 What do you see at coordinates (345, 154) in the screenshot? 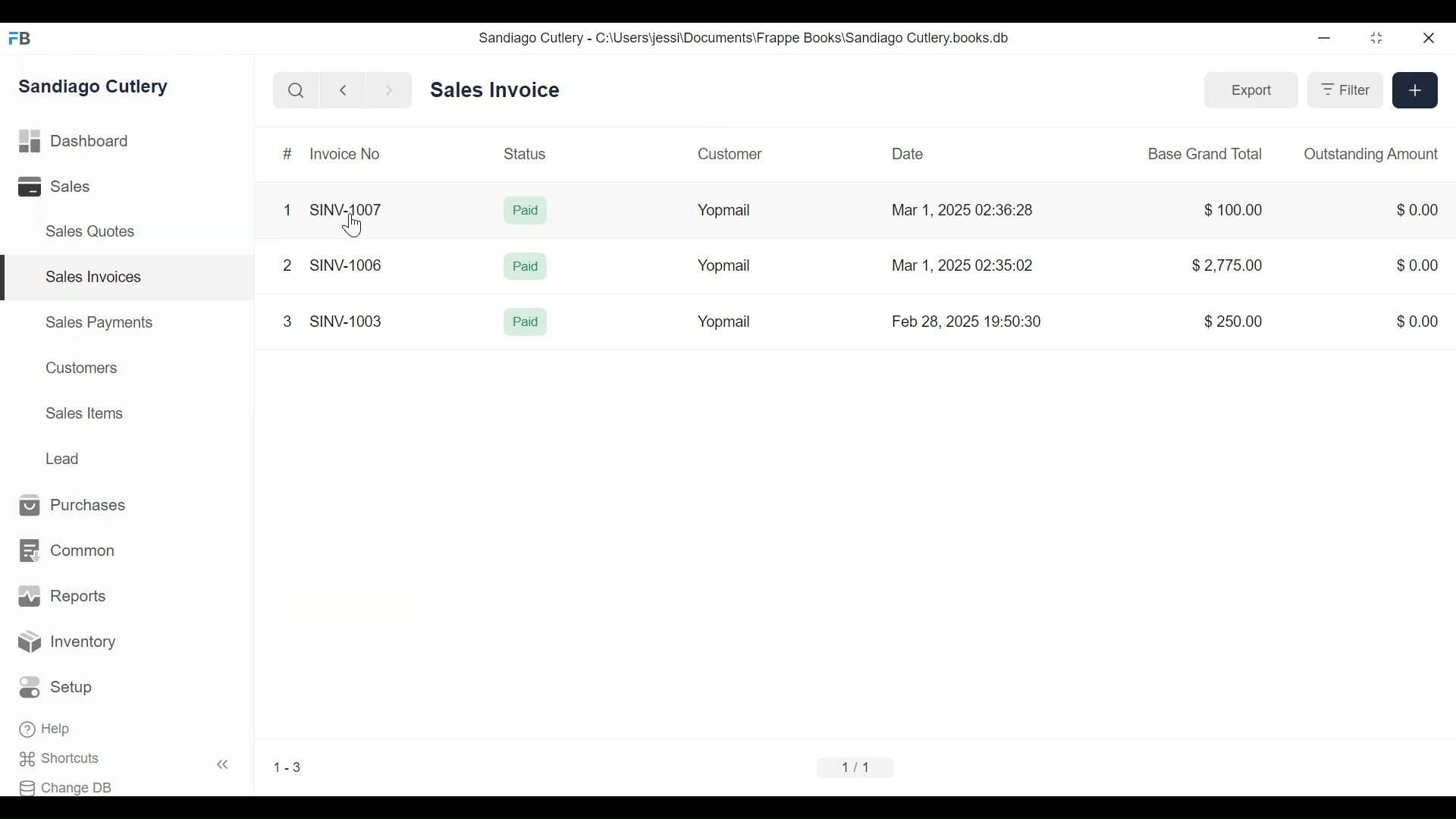
I see `Invoice No` at bounding box center [345, 154].